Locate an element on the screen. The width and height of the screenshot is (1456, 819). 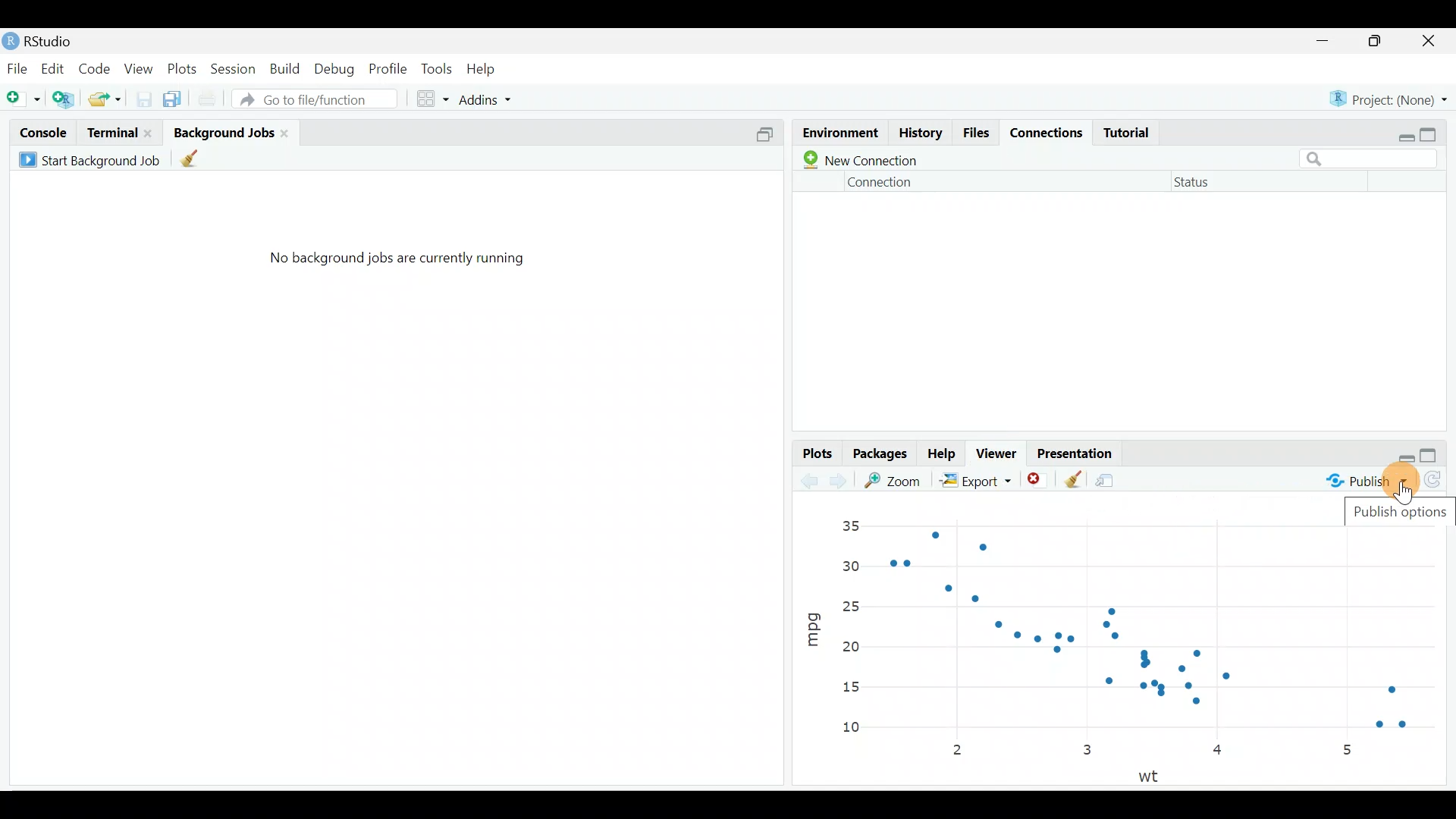
Presentation is located at coordinates (1078, 450).